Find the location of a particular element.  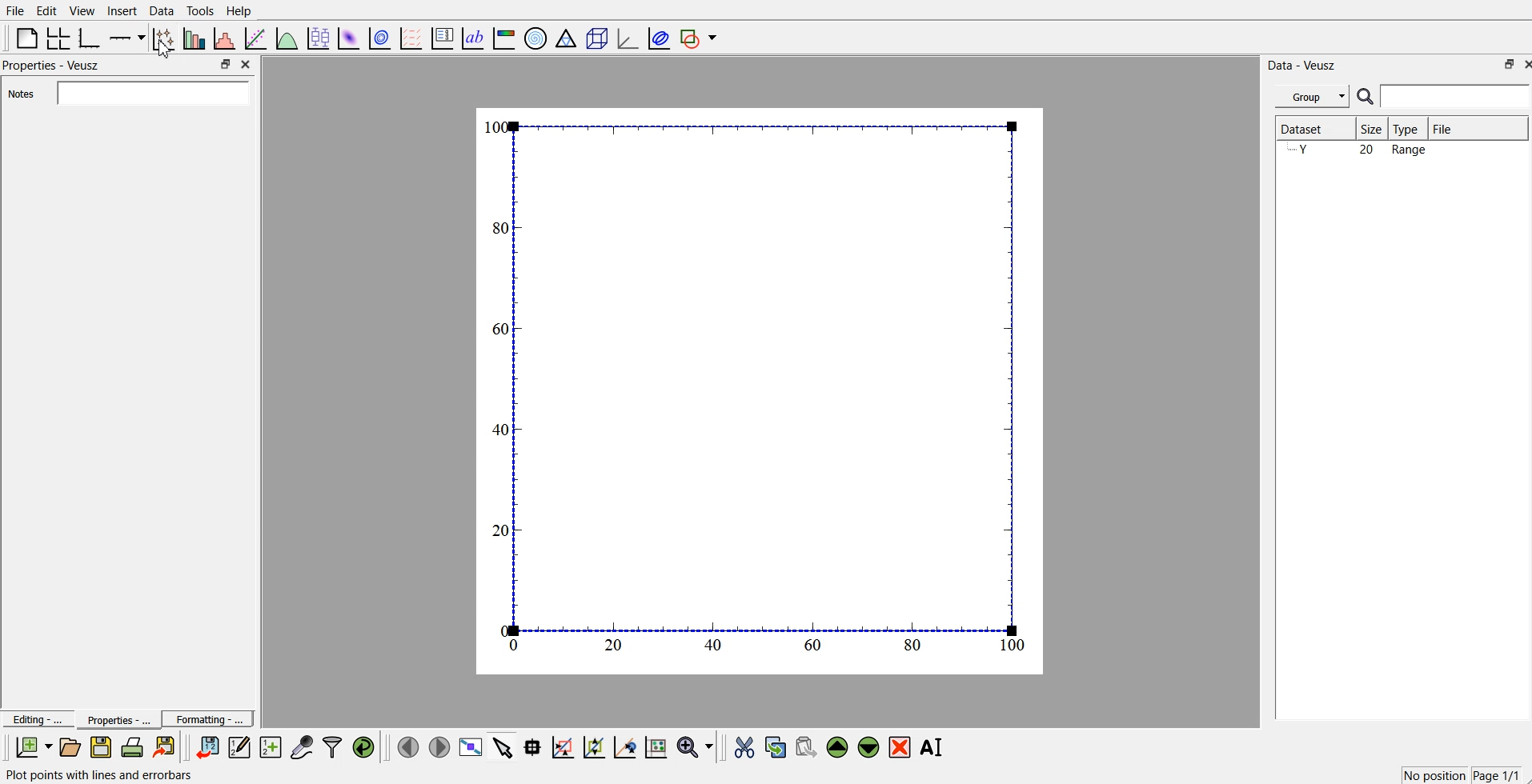

Move to previous page is located at coordinates (406, 746).